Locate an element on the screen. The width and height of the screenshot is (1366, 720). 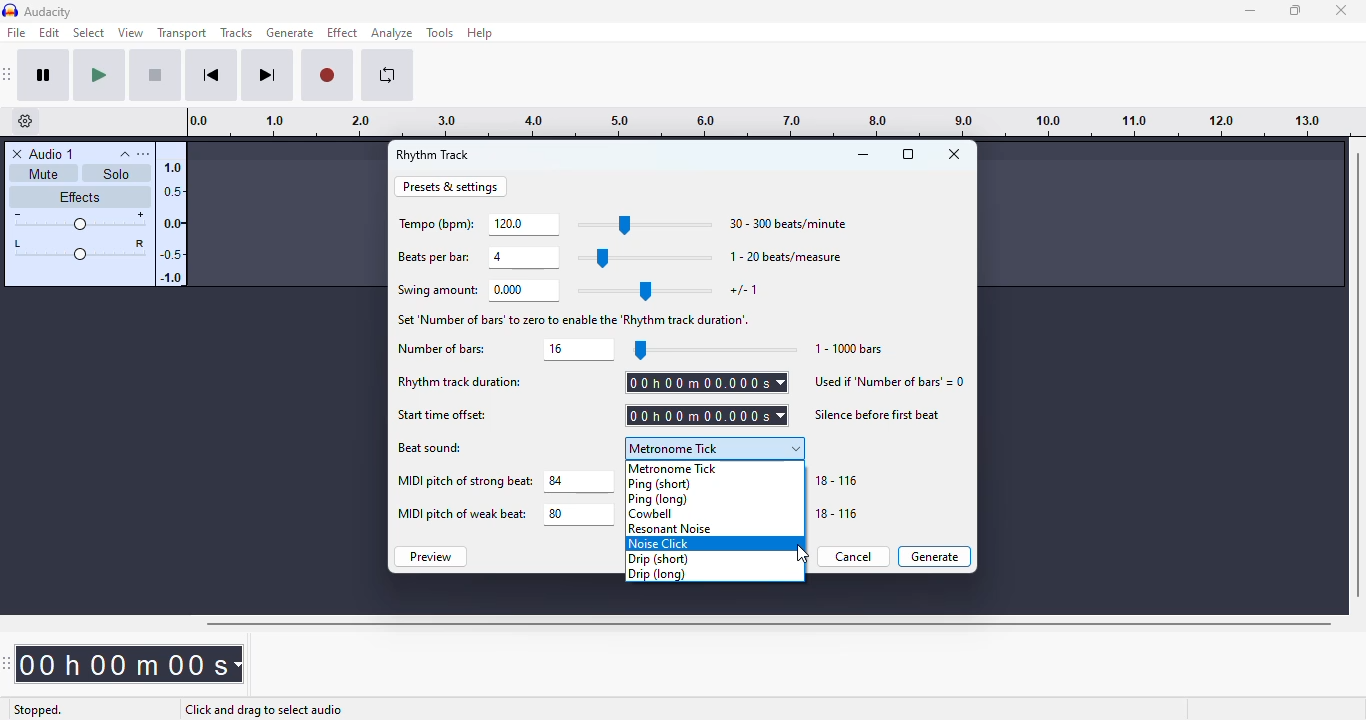
slider is located at coordinates (646, 291).